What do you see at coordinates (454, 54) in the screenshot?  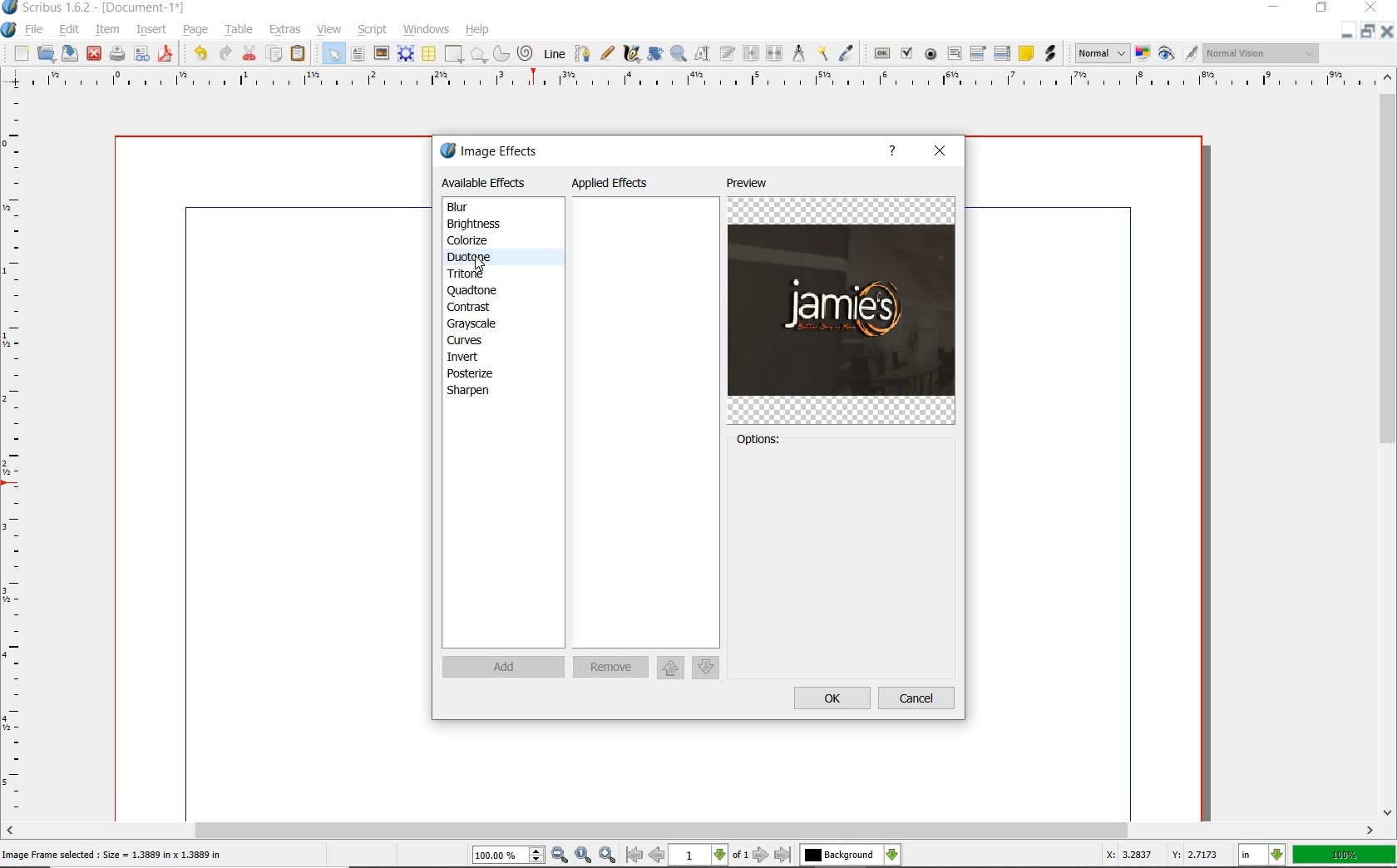 I see `SHAPE` at bounding box center [454, 54].